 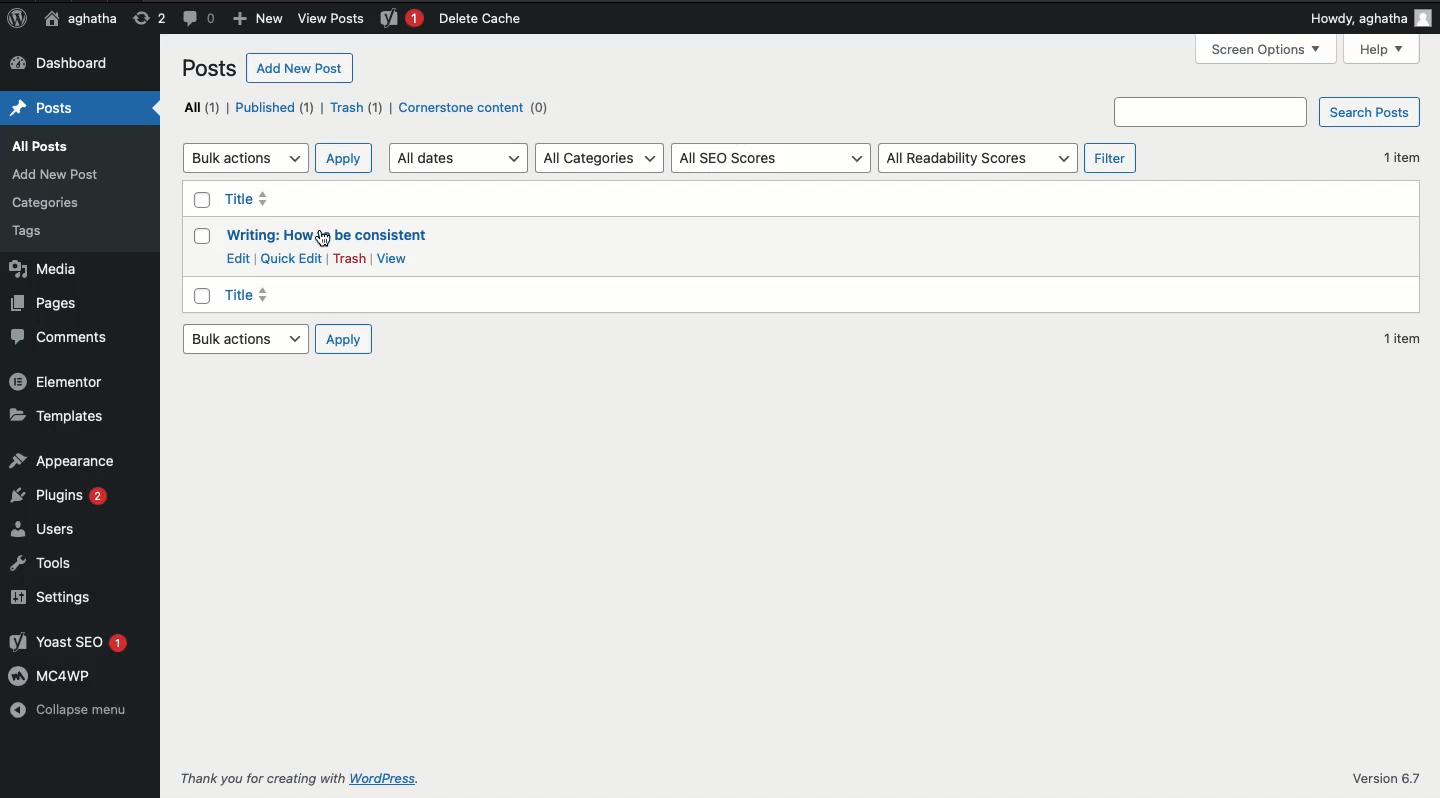 I want to click on Cursor, so click(x=326, y=240).